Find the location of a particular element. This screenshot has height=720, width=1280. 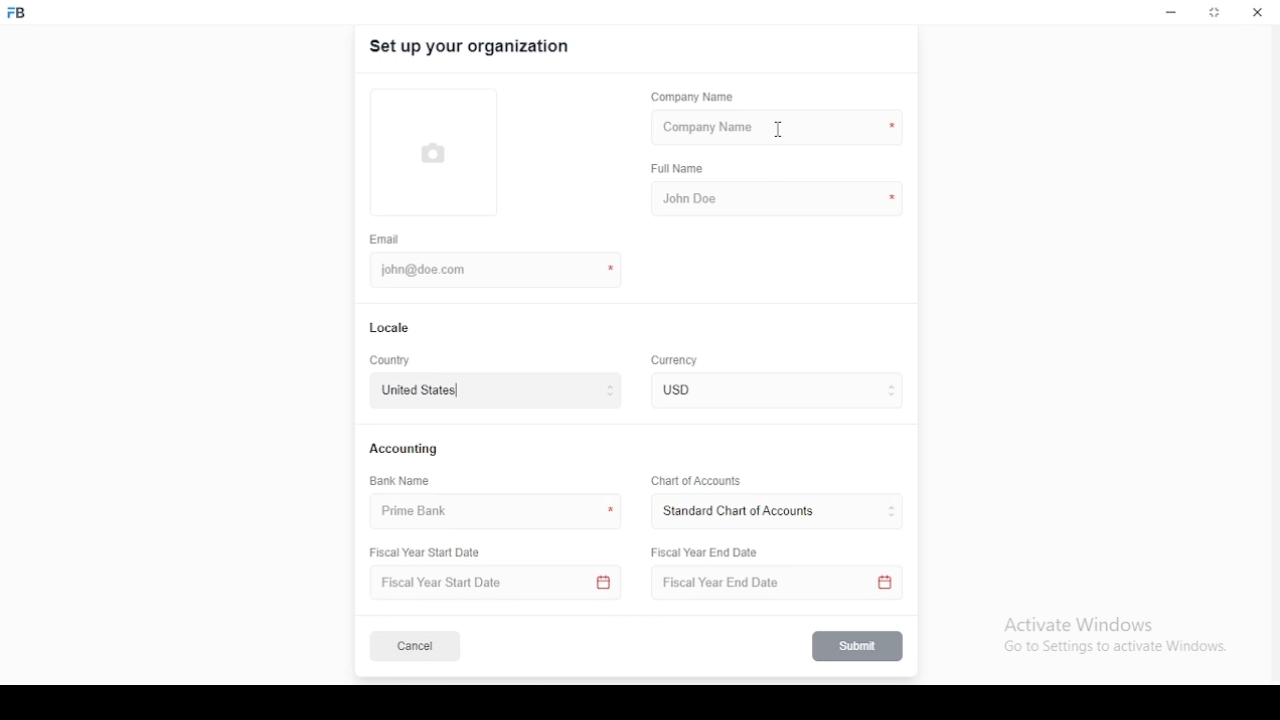

john@doe.com is located at coordinates (431, 269).